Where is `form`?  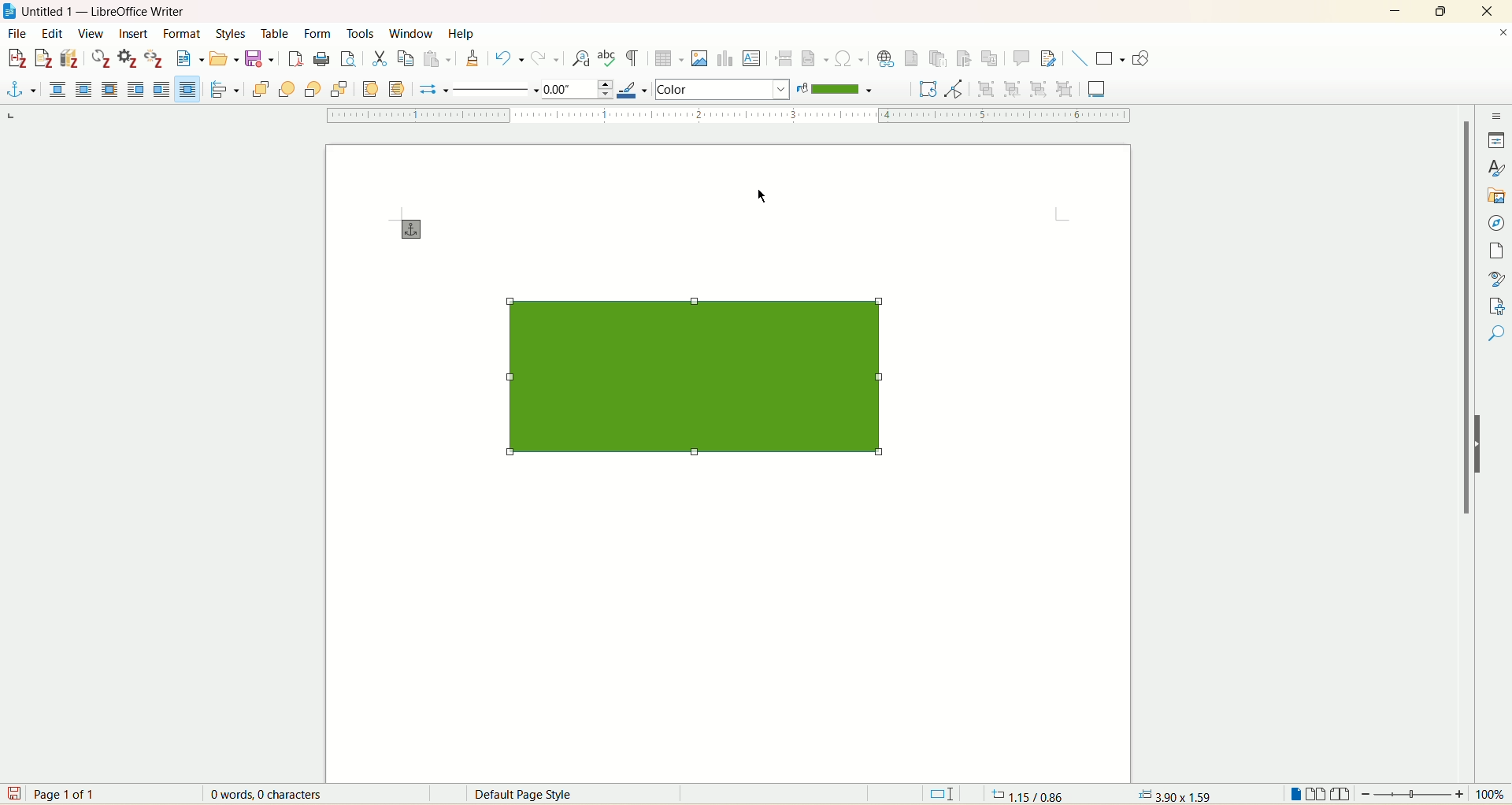
form is located at coordinates (319, 33).